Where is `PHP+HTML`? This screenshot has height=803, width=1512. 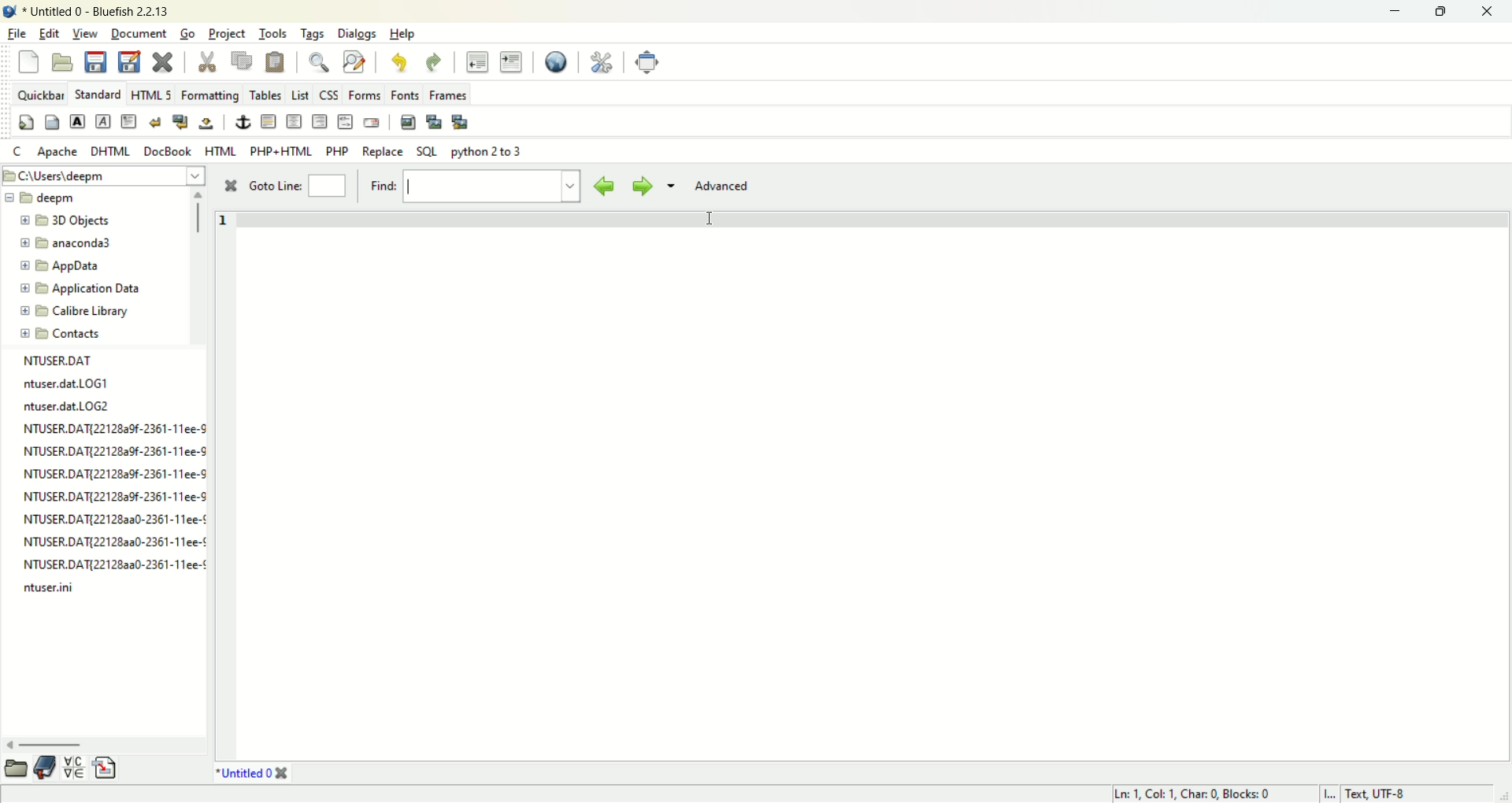
PHP+HTML is located at coordinates (282, 151).